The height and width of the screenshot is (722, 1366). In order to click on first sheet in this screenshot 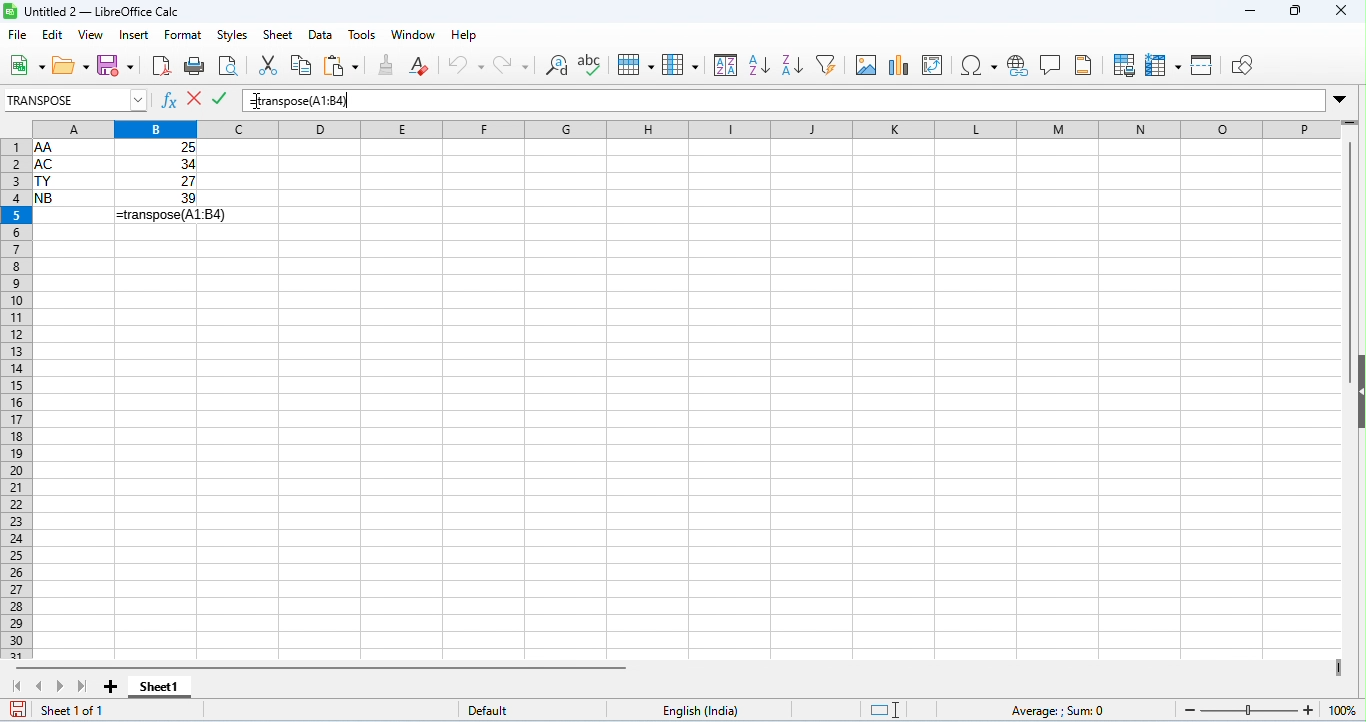, I will do `click(19, 685)`.